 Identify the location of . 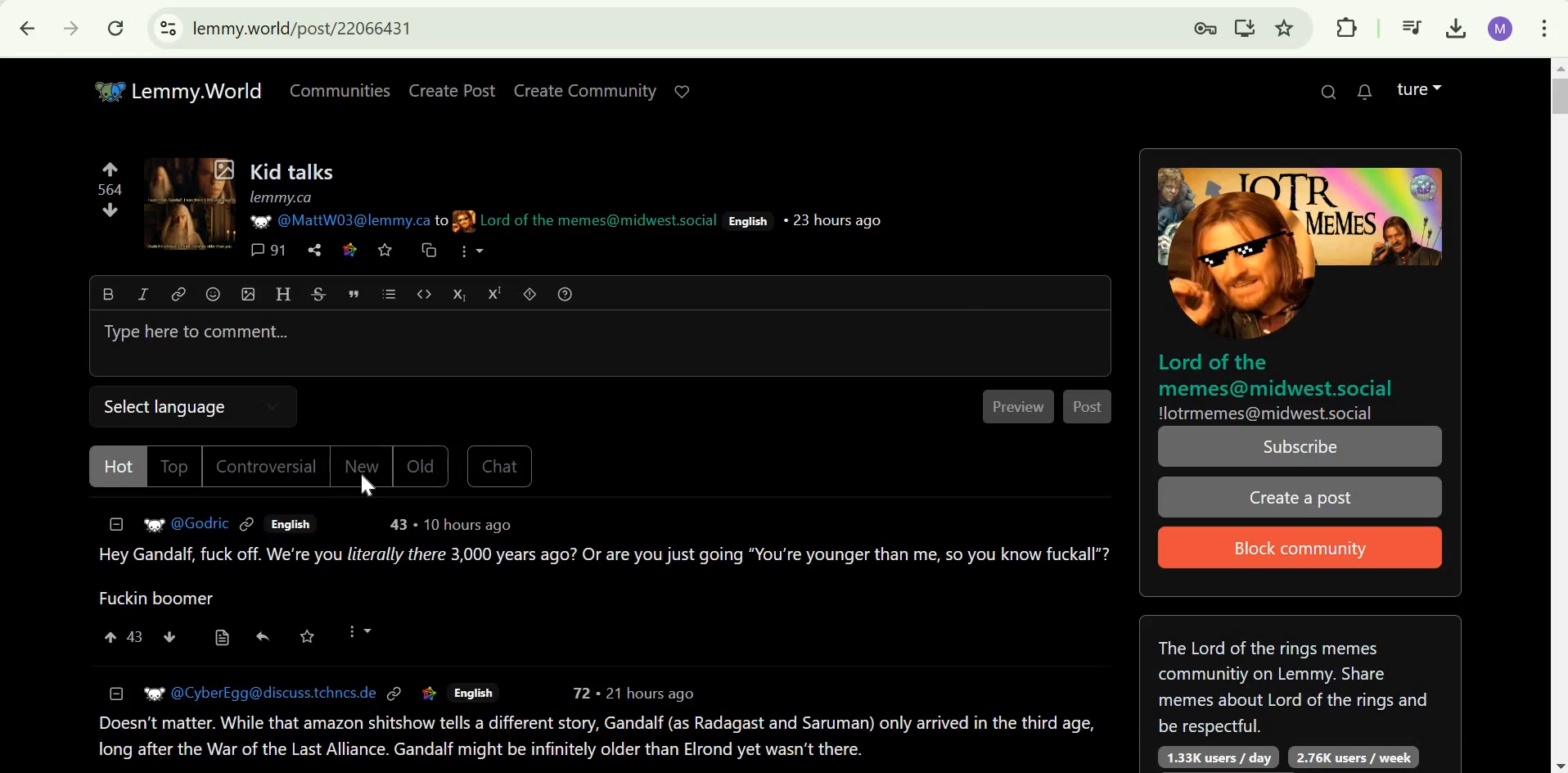
(1300, 256).